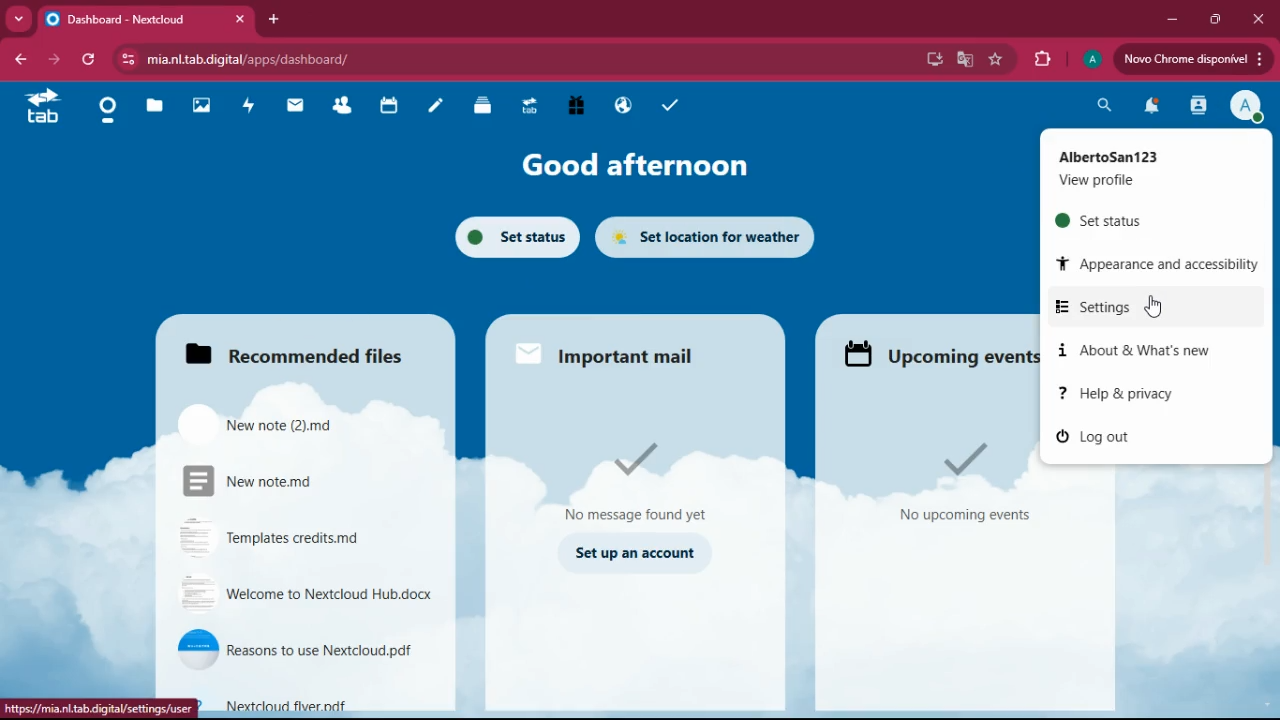 The height and width of the screenshot is (720, 1280). Describe the element at coordinates (1041, 60) in the screenshot. I see `extensions` at that location.